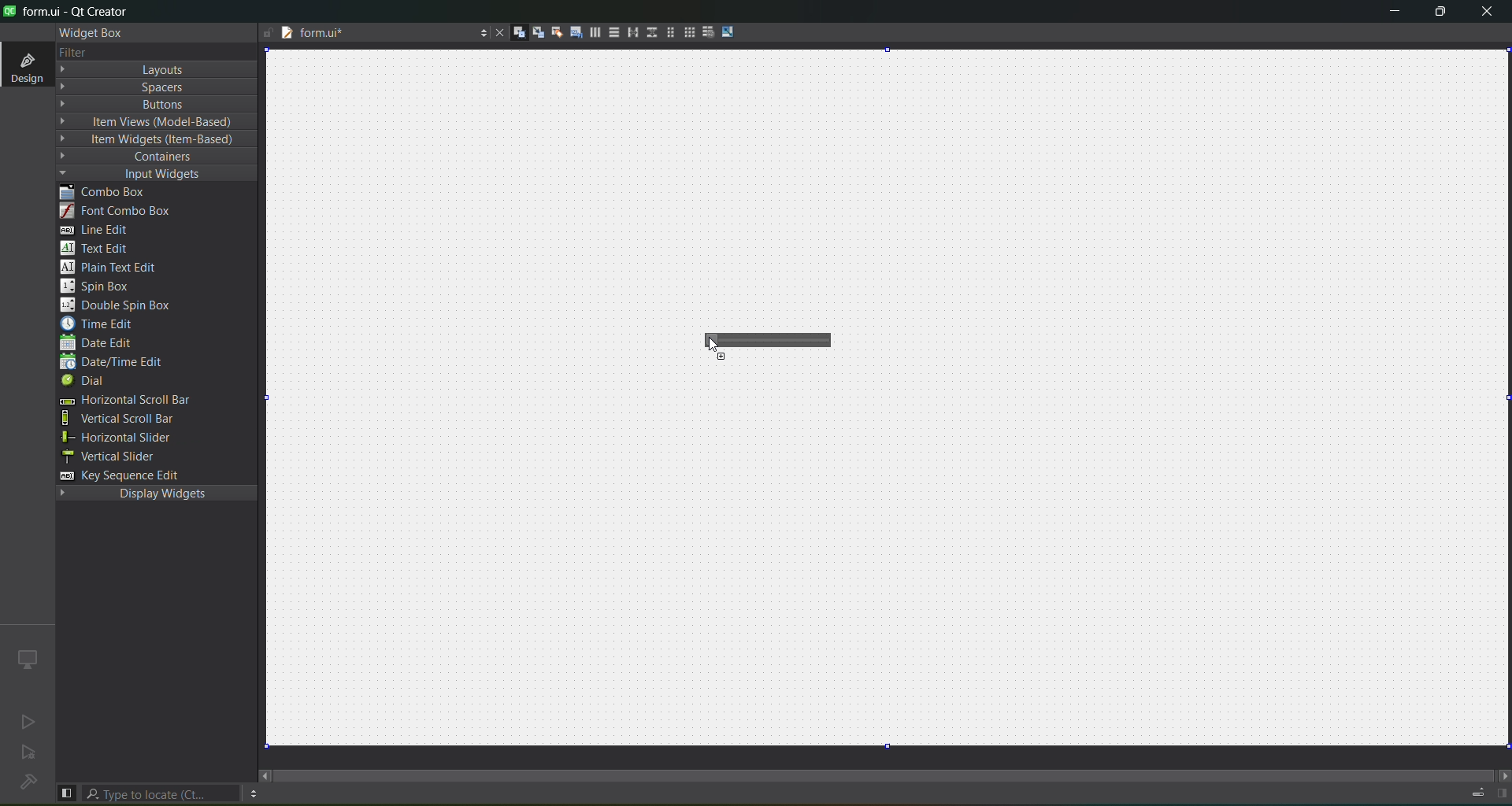 The image size is (1512, 806). What do you see at coordinates (1443, 16) in the screenshot?
I see `maximize` at bounding box center [1443, 16].